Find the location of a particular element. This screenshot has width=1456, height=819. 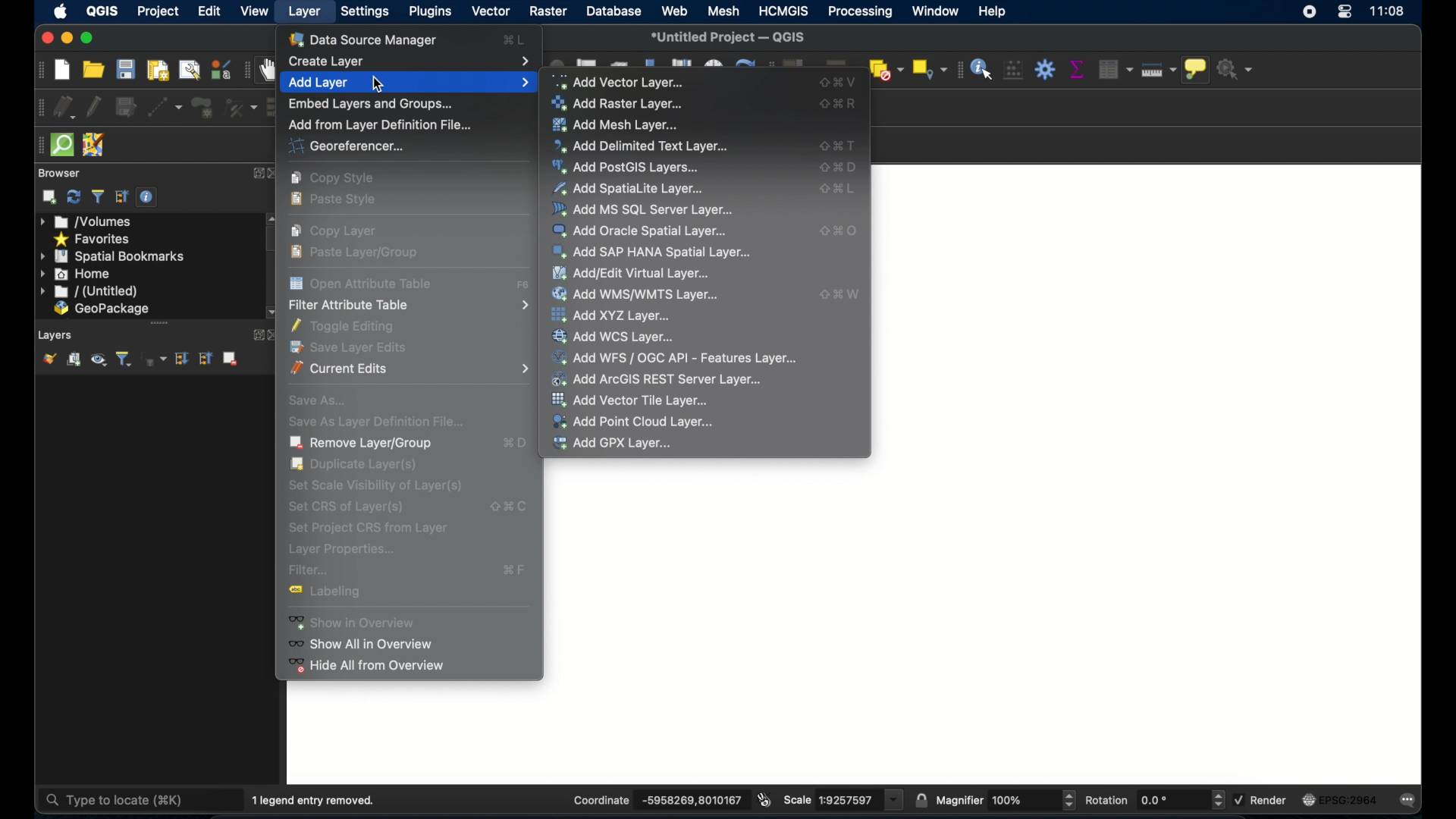

spatial bookmarks is located at coordinates (113, 256).